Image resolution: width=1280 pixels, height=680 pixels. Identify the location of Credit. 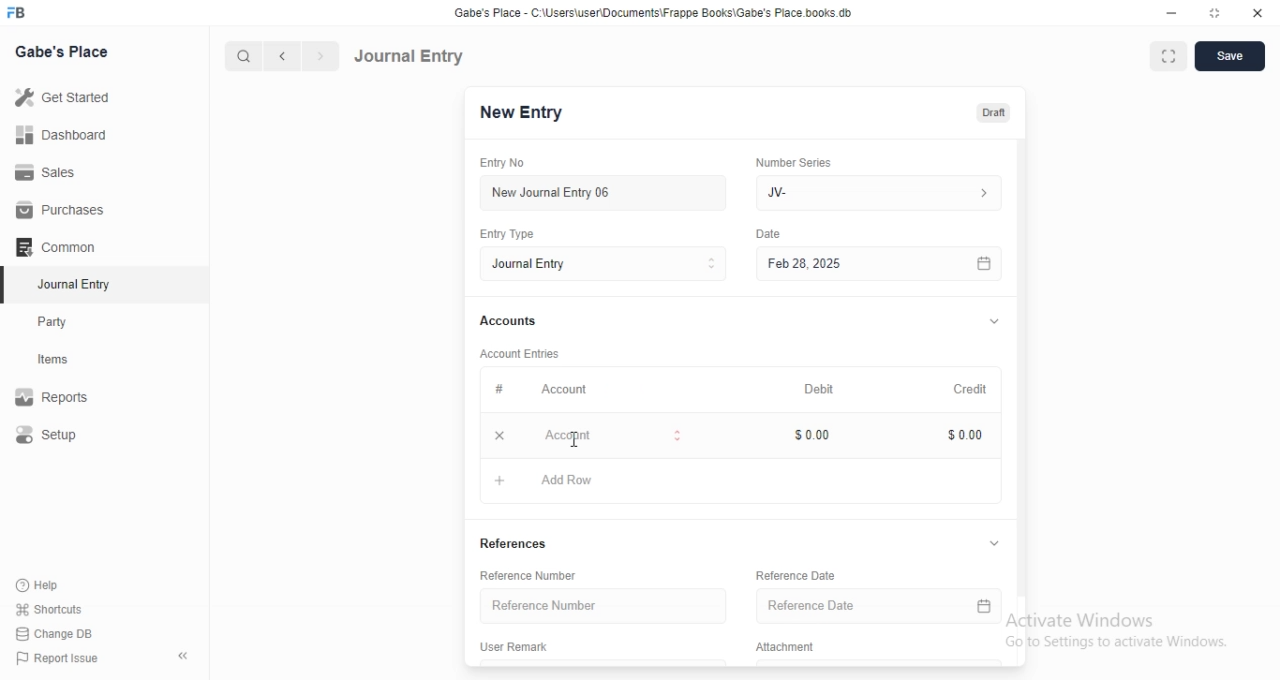
(970, 389).